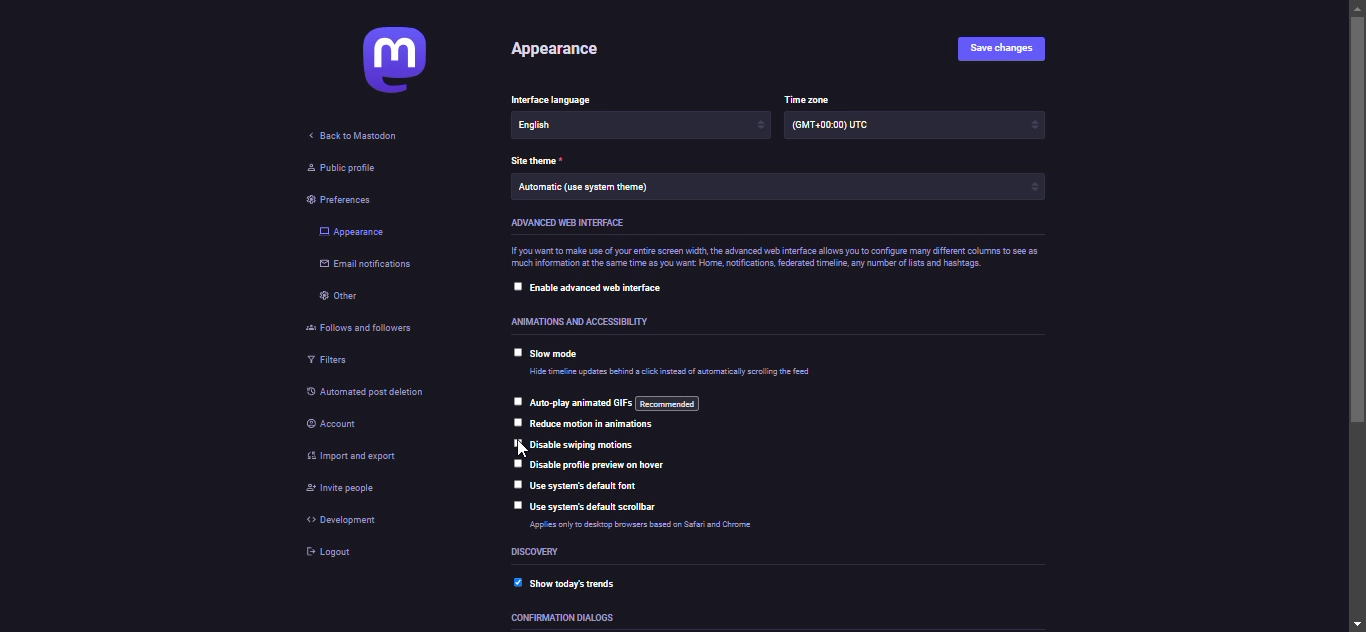  I want to click on language, so click(565, 129).